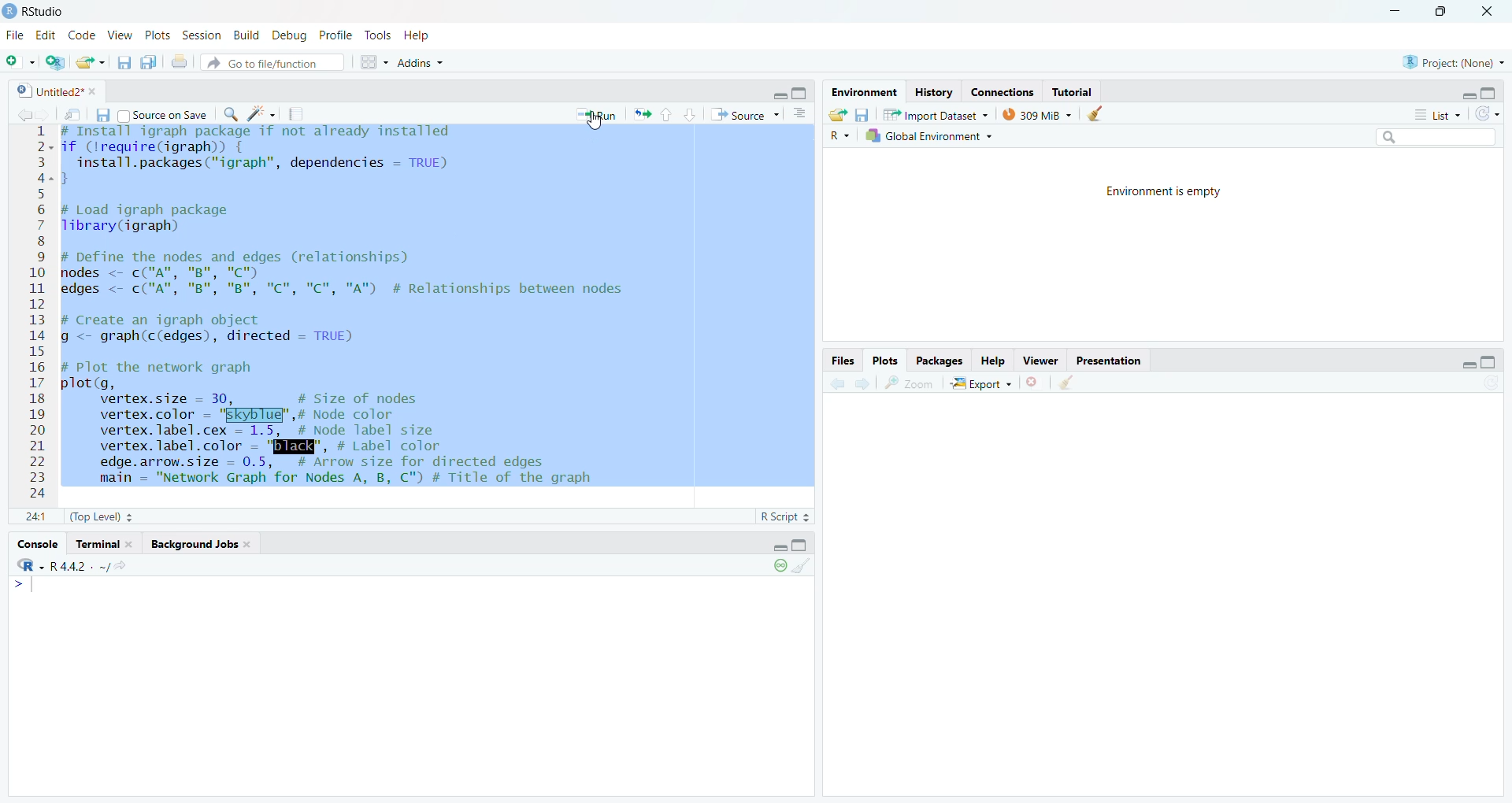 This screenshot has width=1512, height=803. I want to click on Connections, so click(1004, 91).